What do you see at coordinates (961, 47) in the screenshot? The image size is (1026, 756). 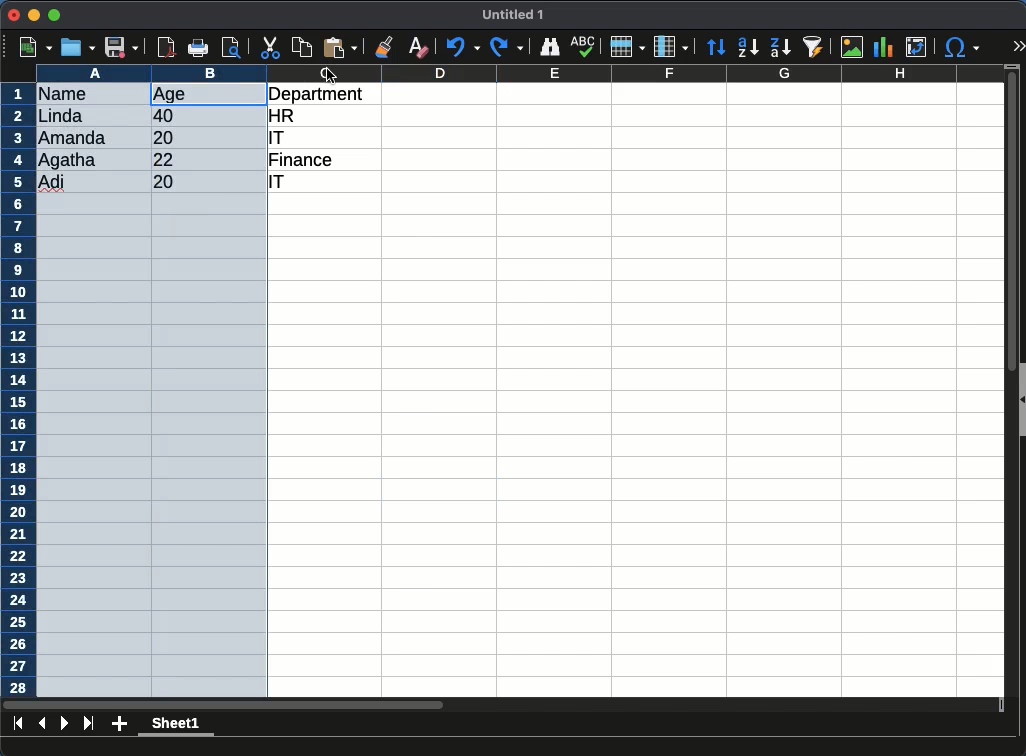 I see `special character` at bounding box center [961, 47].